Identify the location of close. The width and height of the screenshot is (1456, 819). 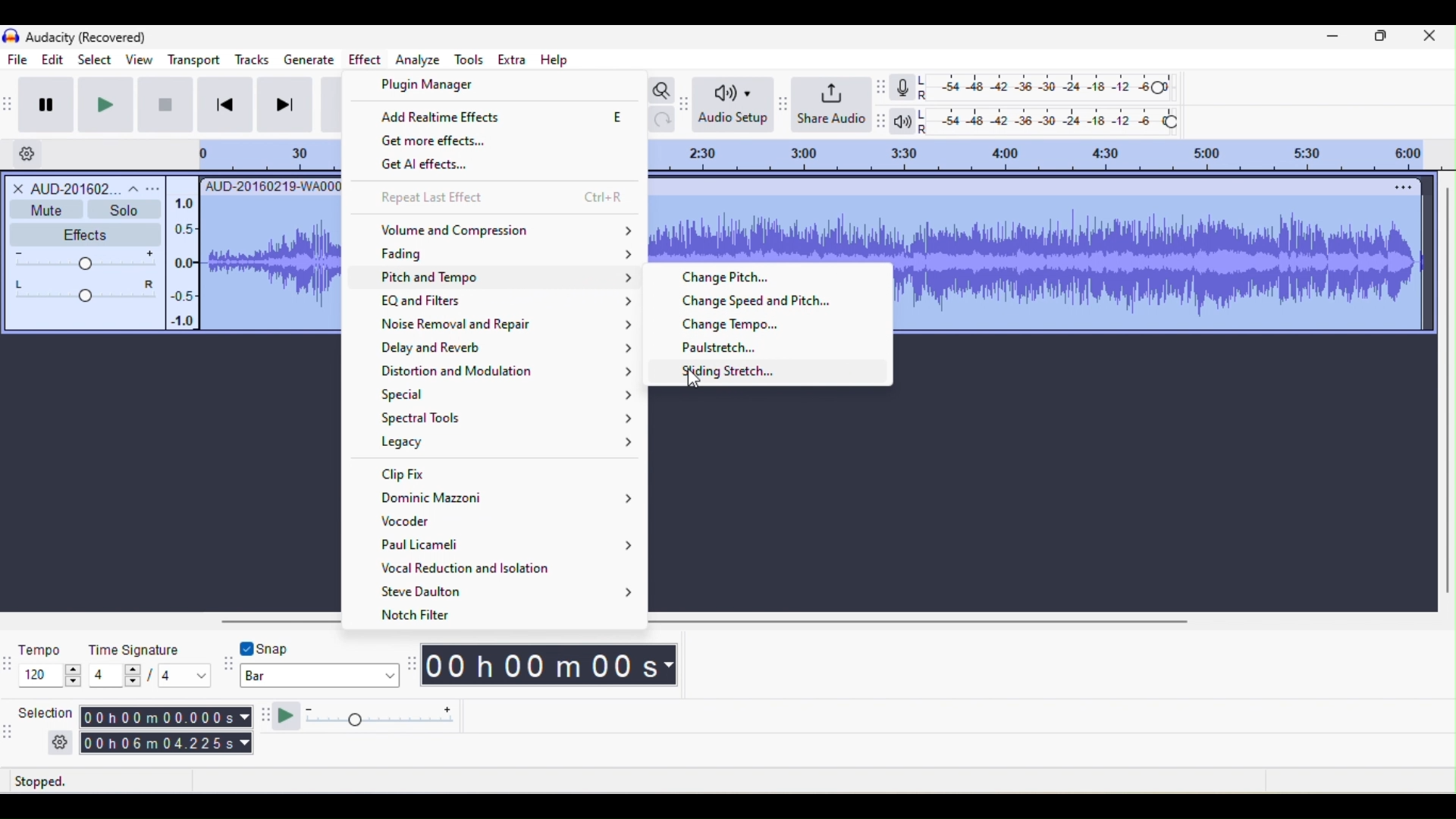
(1429, 40).